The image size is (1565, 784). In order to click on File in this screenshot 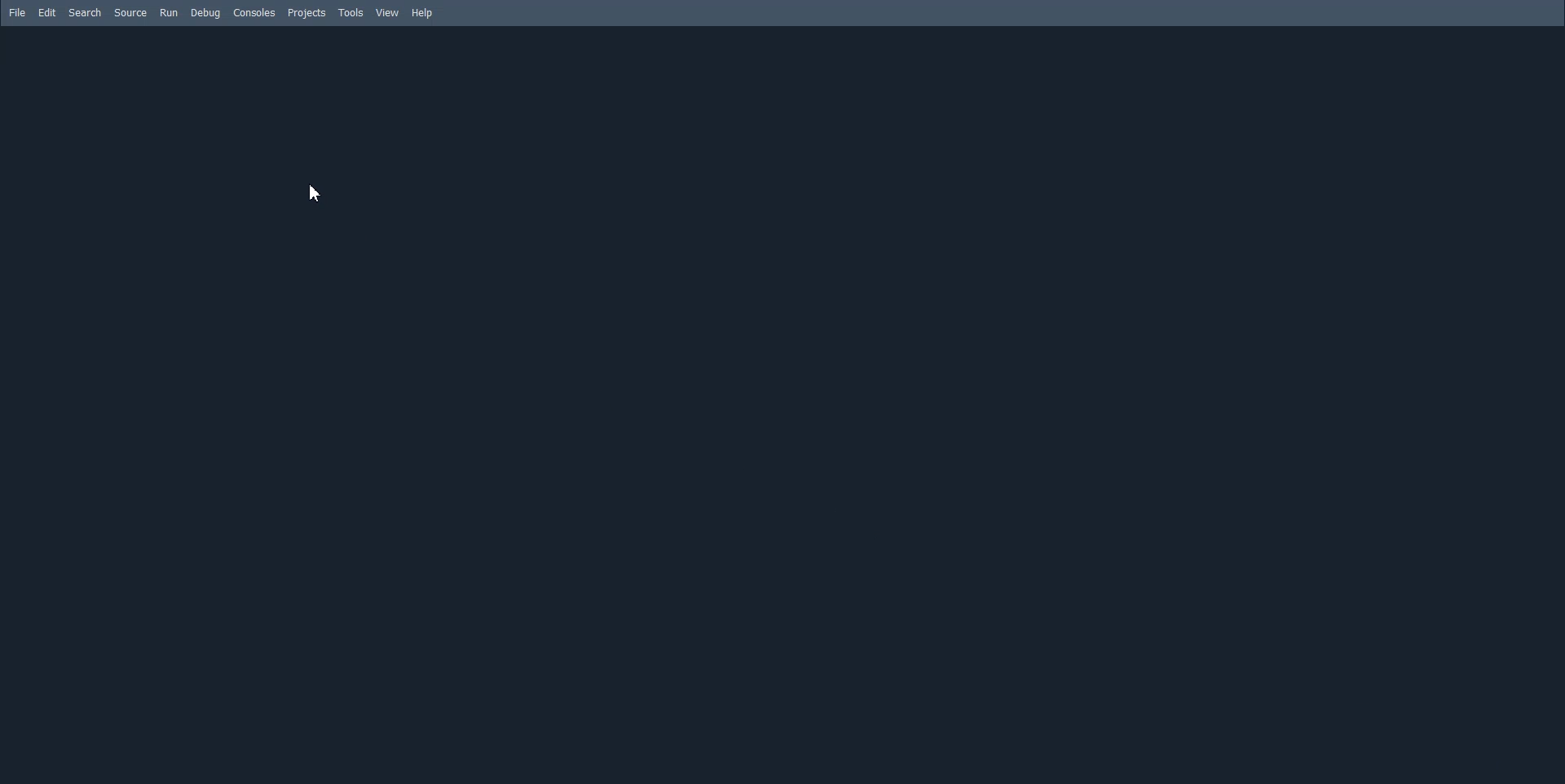, I will do `click(18, 13)`.